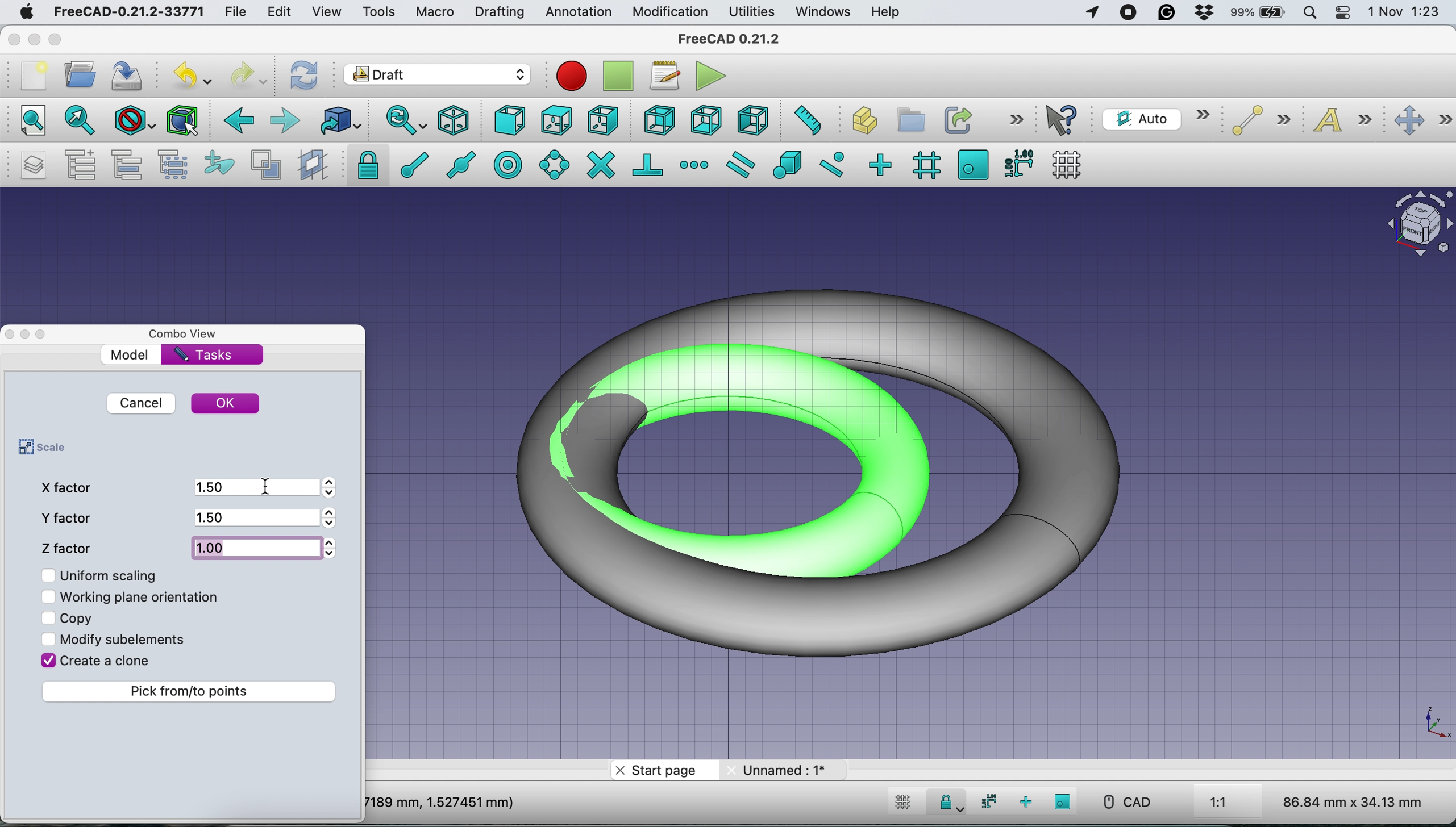 Image resolution: width=1456 pixels, height=827 pixels. Describe the element at coordinates (987, 801) in the screenshot. I see `snap dimensions` at that location.